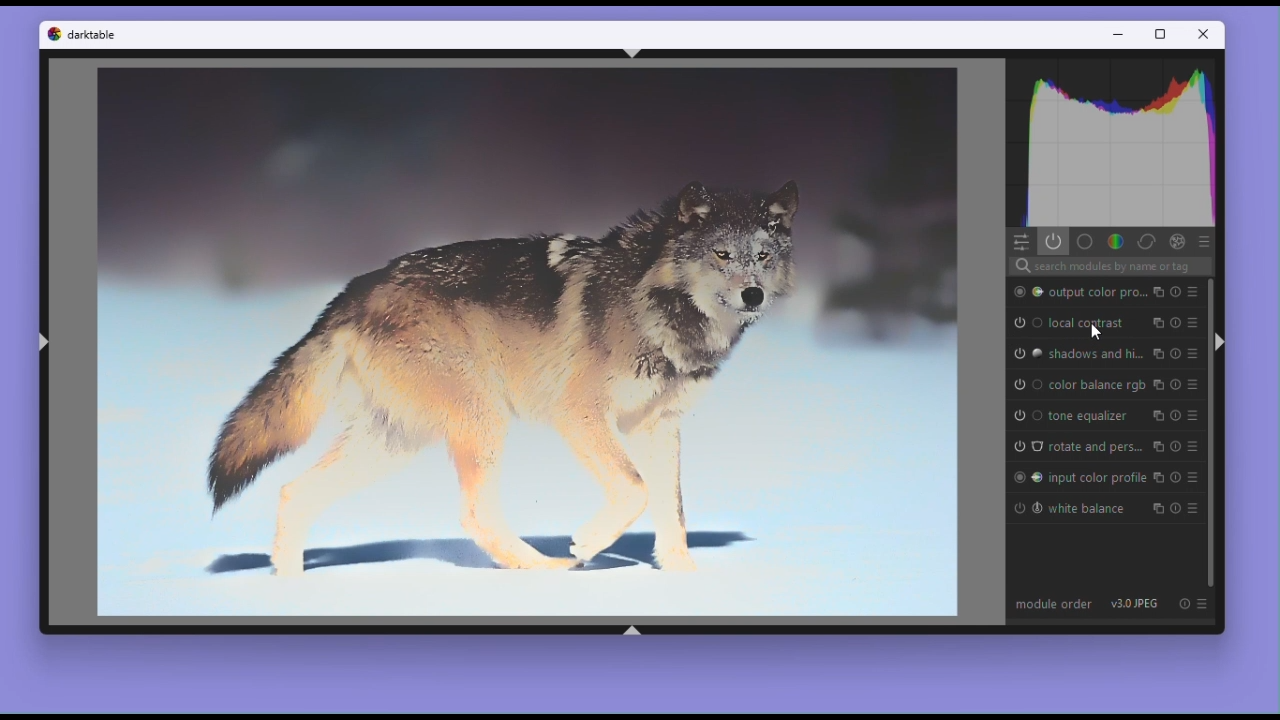  What do you see at coordinates (1208, 241) in the screenshot?
I see `presets and preferences` at bounding box center [1208, 241].